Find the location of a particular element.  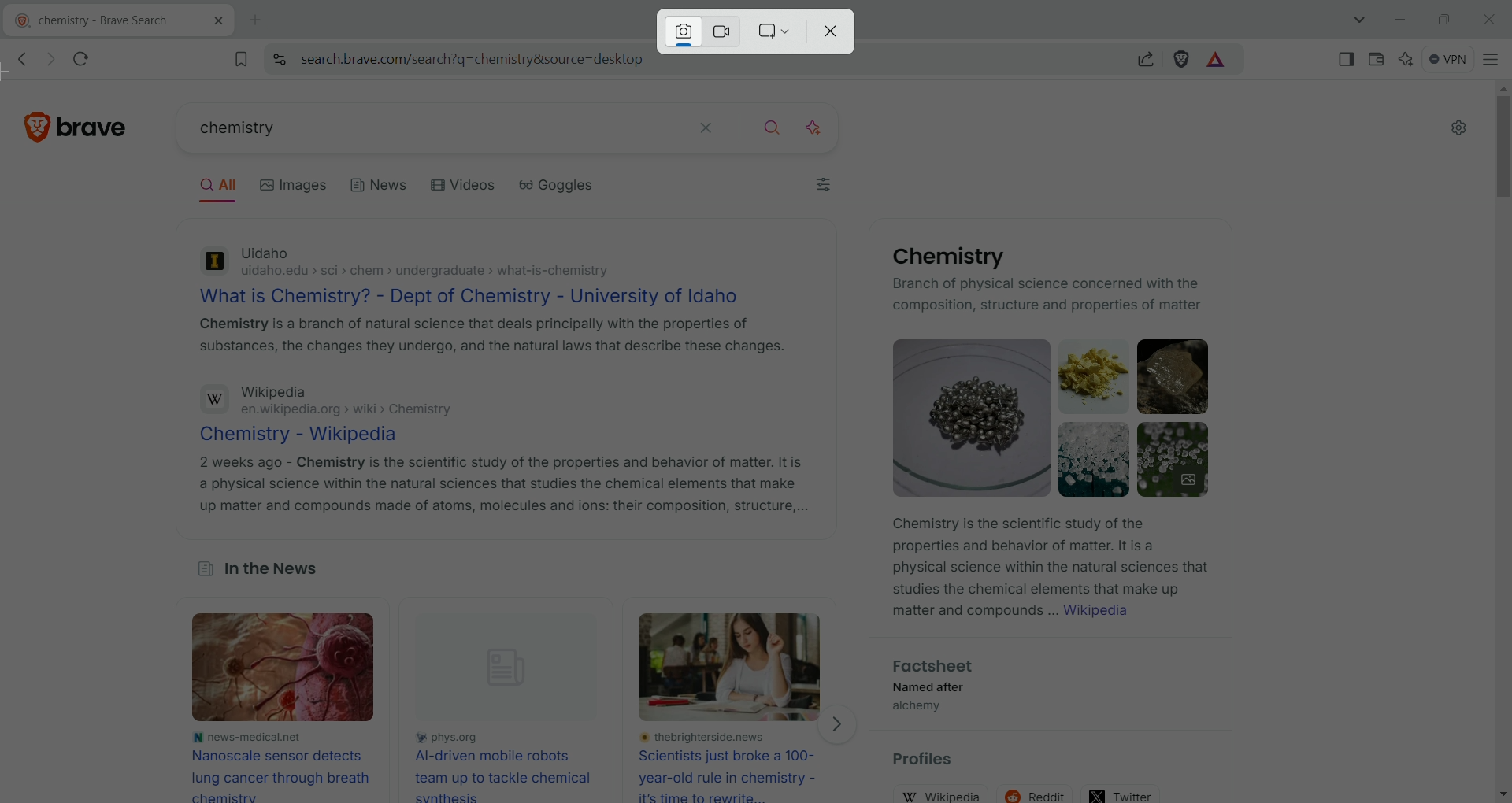

Factsheet— Named after- alchemy is located at coordinates (929, 689).